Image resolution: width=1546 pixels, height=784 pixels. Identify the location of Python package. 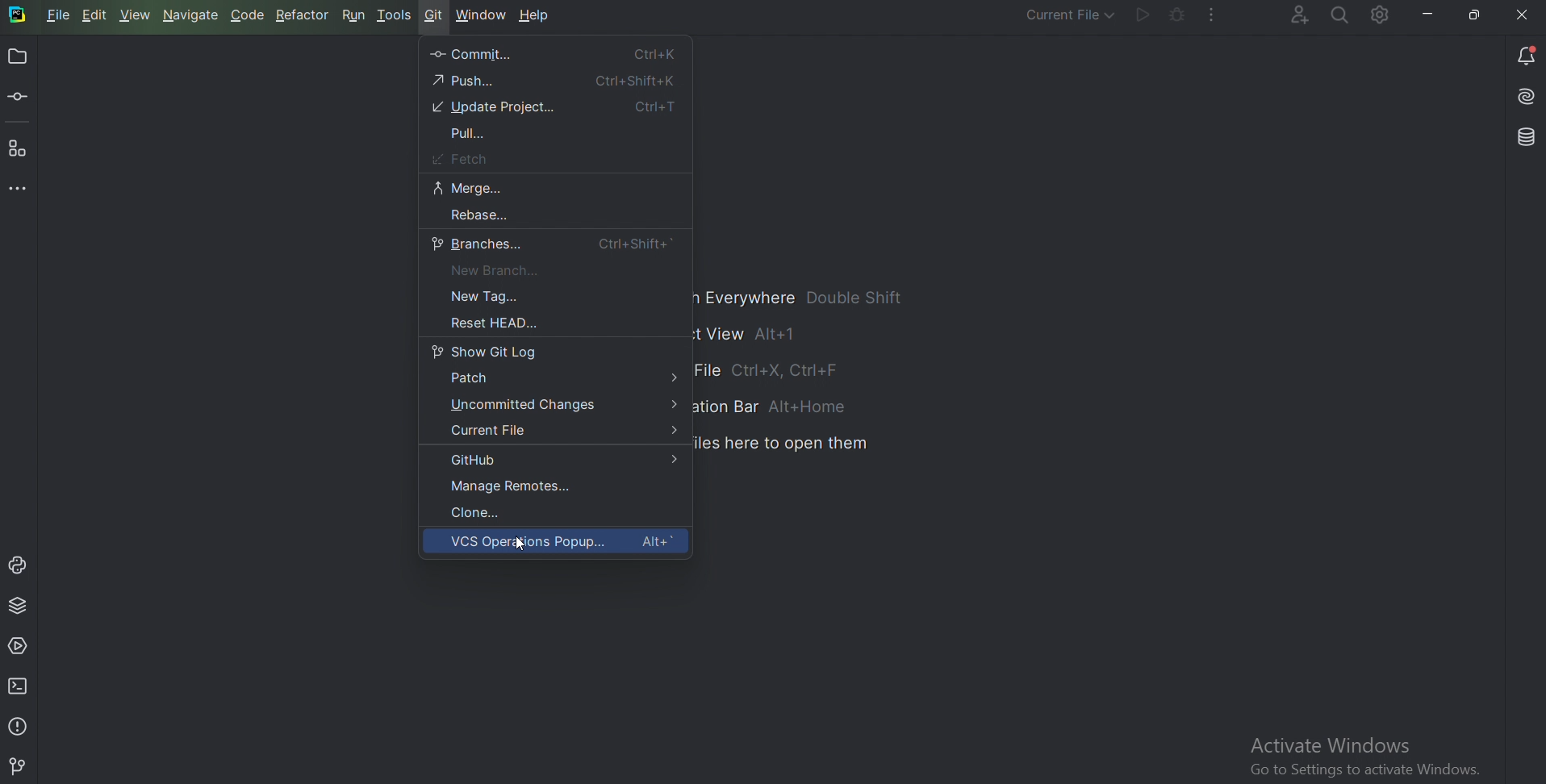
(21, 607).